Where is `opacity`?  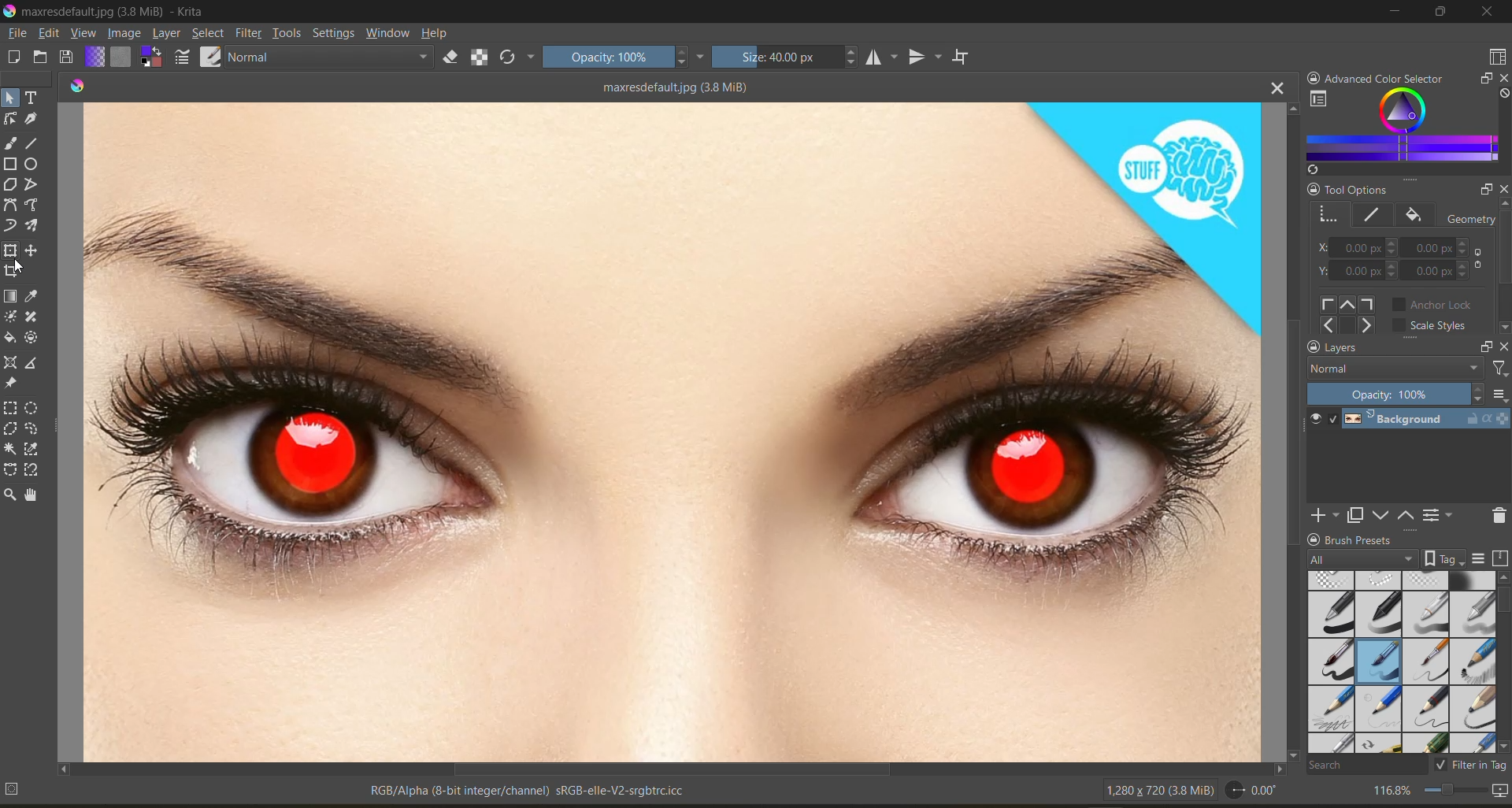
opacity is located at coordinates (624, 59).